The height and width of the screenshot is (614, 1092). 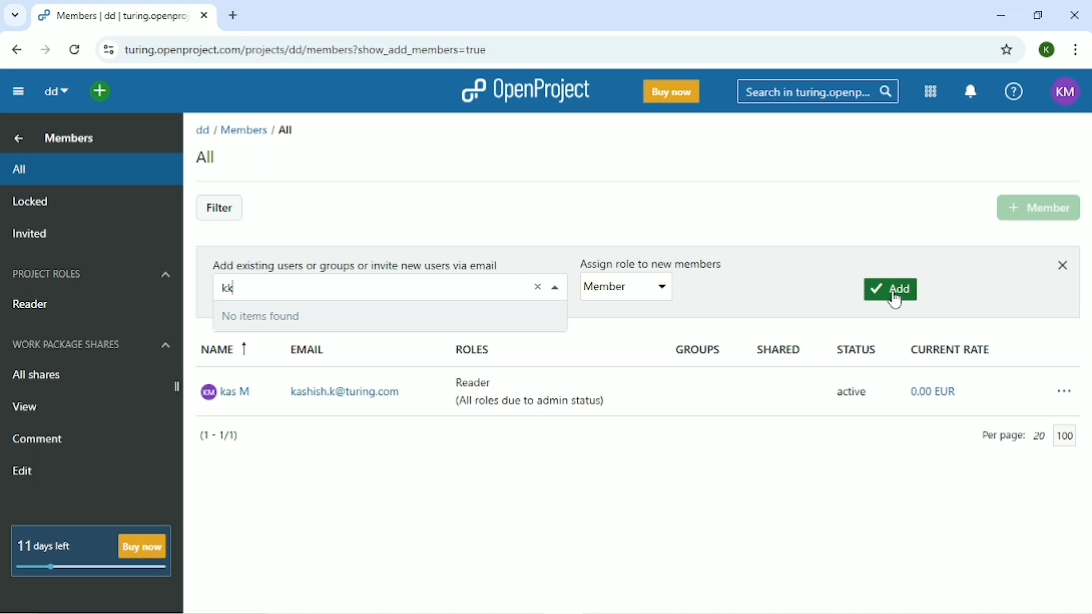 What do you see at coordinates (527, 90) in the screenshot?
I see `OpenProject` at bounding box center [527, 90].